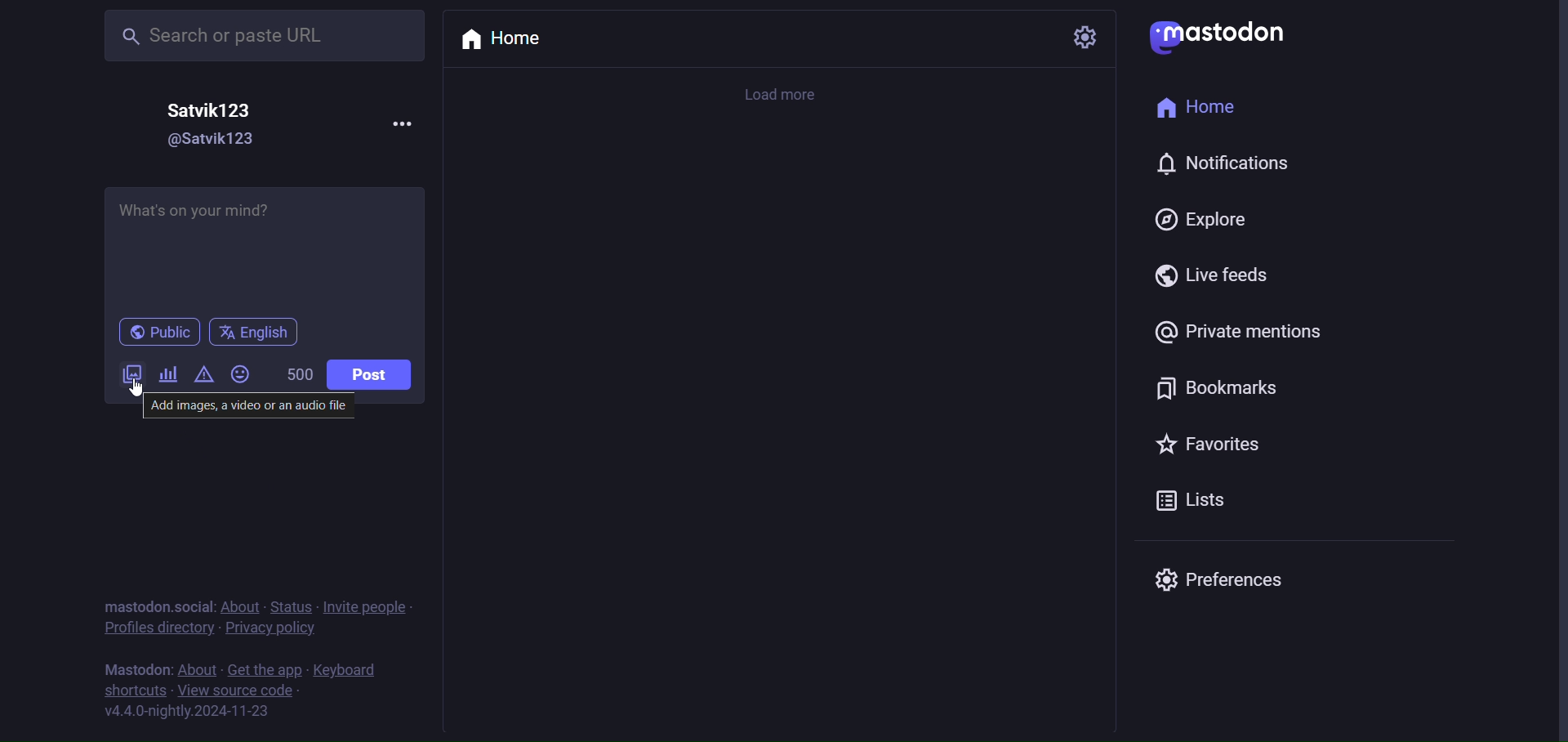 This screenshot has height=742, width=1568. What do you see at coordinates (1223, 579) in the screenshot?
I see `preferences` at bounding box center [1223, 579].